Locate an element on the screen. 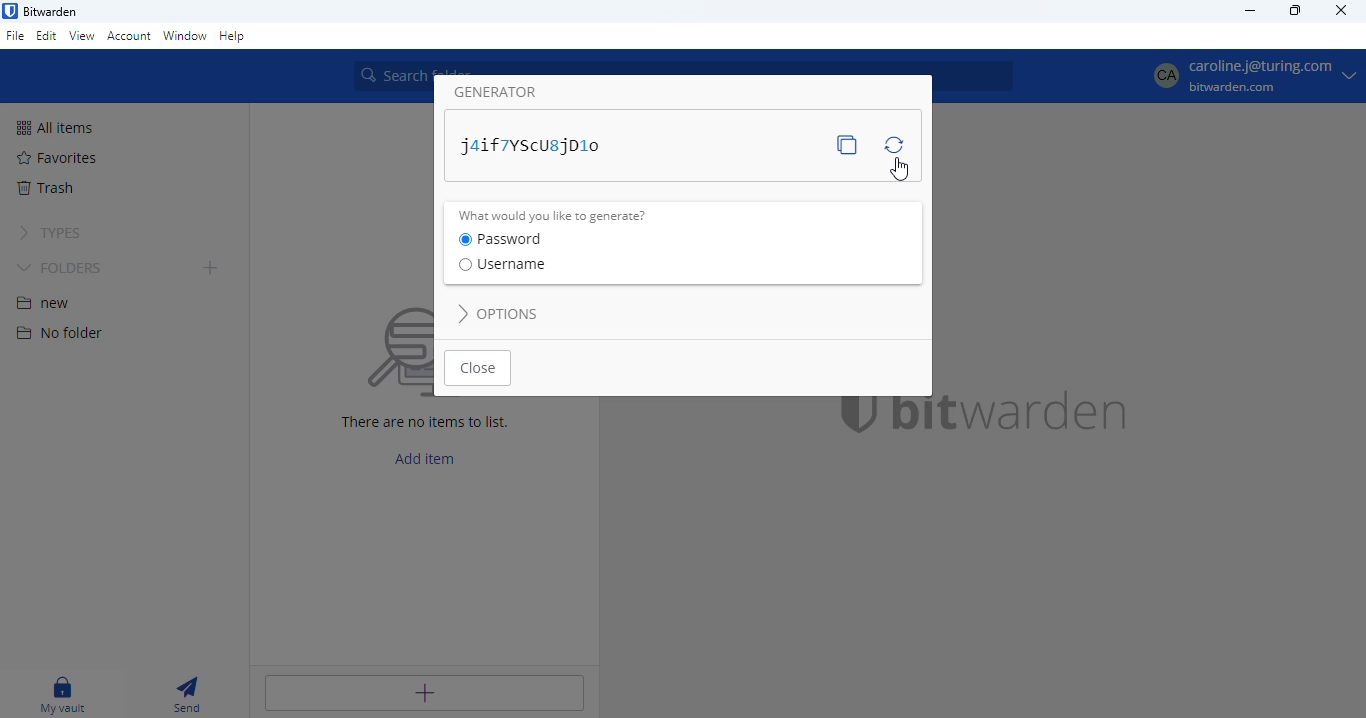 The image size is (1366, 718). all items is located at coordinates (55, 128).